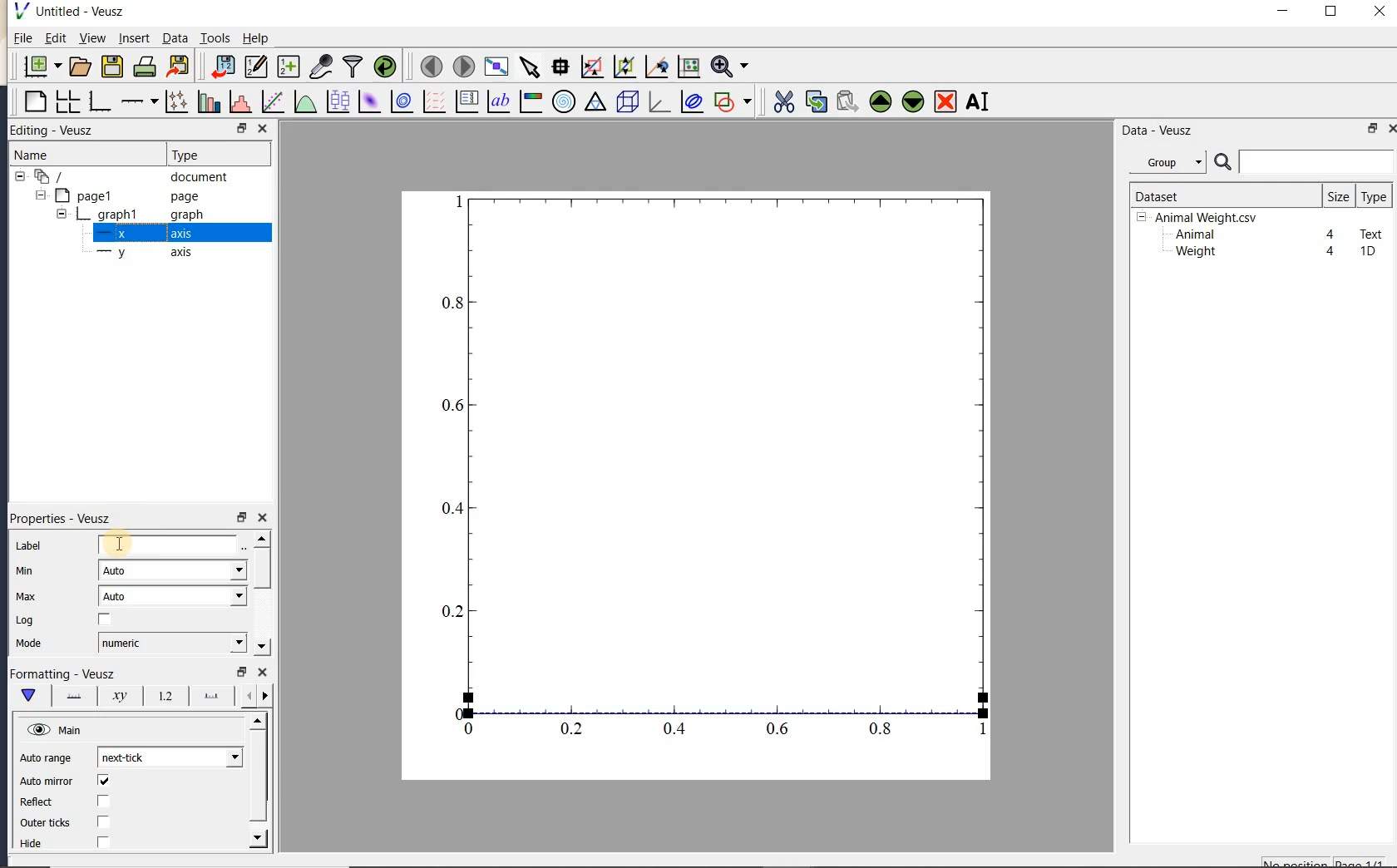  Describe the element at coordinates (1194, 253) in the screenshot. I see `Weight` at that location.